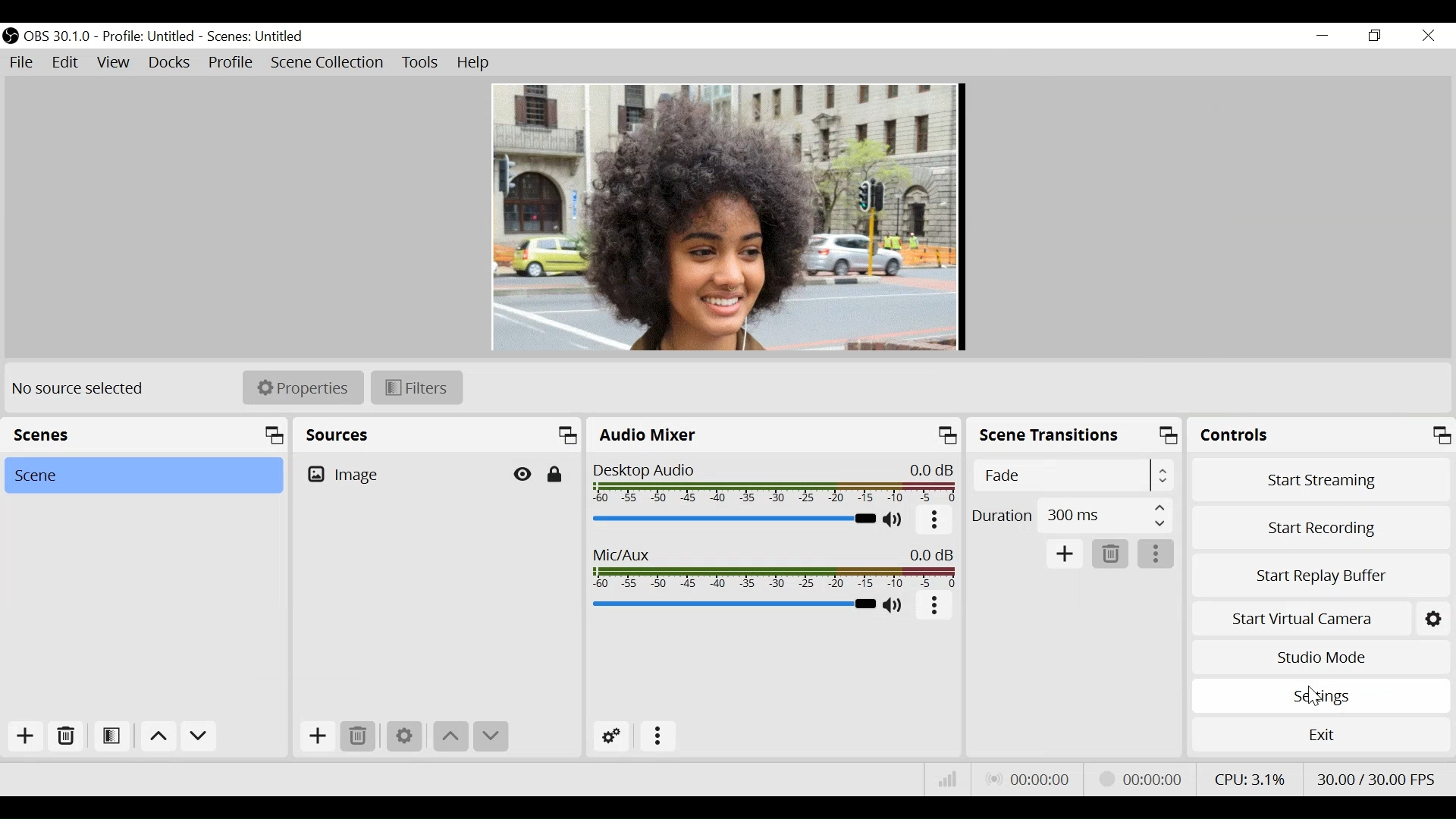 Image resolution: width=1456 pixels, height=819 pixels. What do you see at coordinates (1310, 697) in the screenshot?
I see `Cursor` at bounding box center [1310, 697].